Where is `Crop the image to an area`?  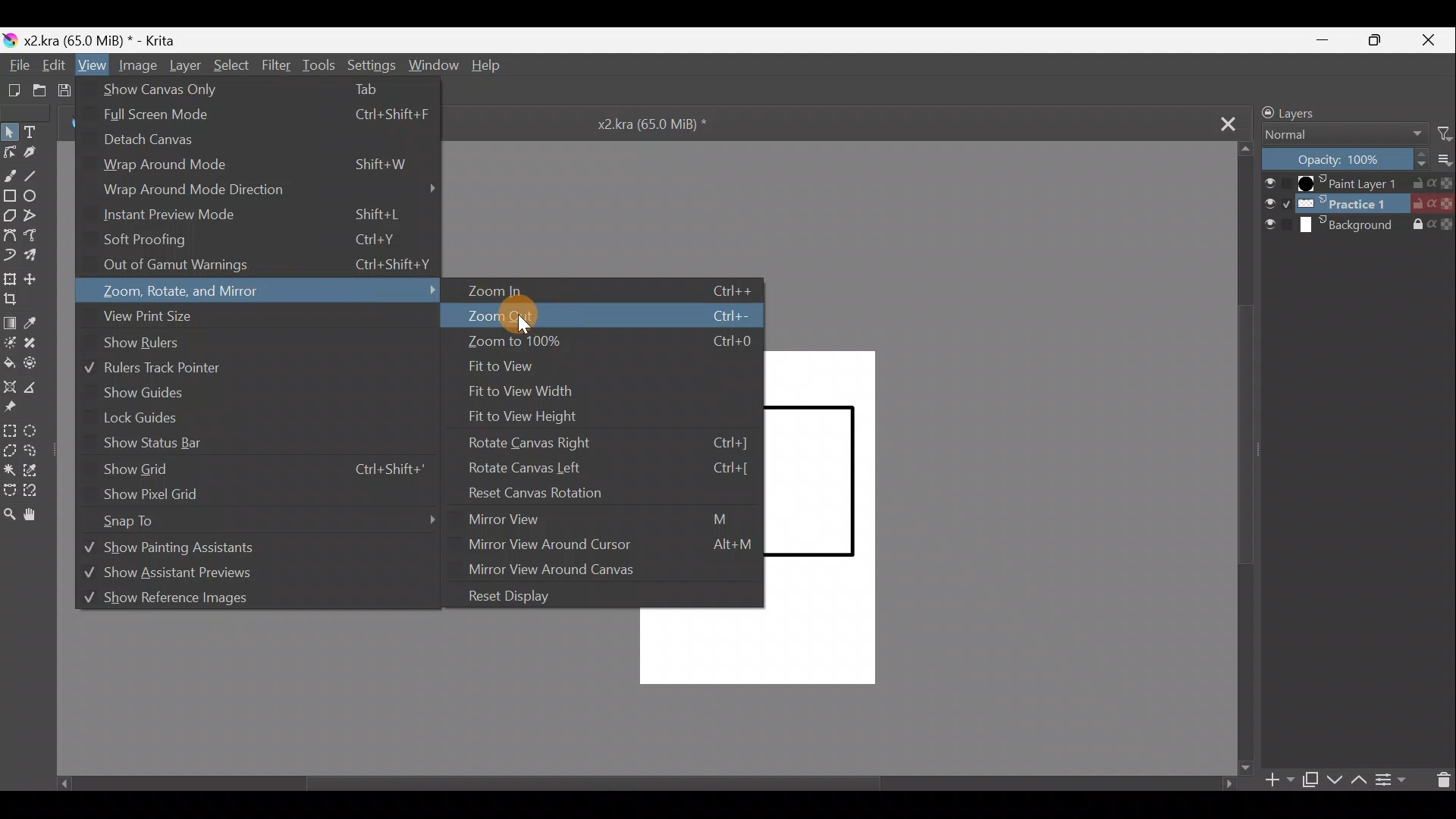
Crop the image to an area is located at coordinates (17, 303).